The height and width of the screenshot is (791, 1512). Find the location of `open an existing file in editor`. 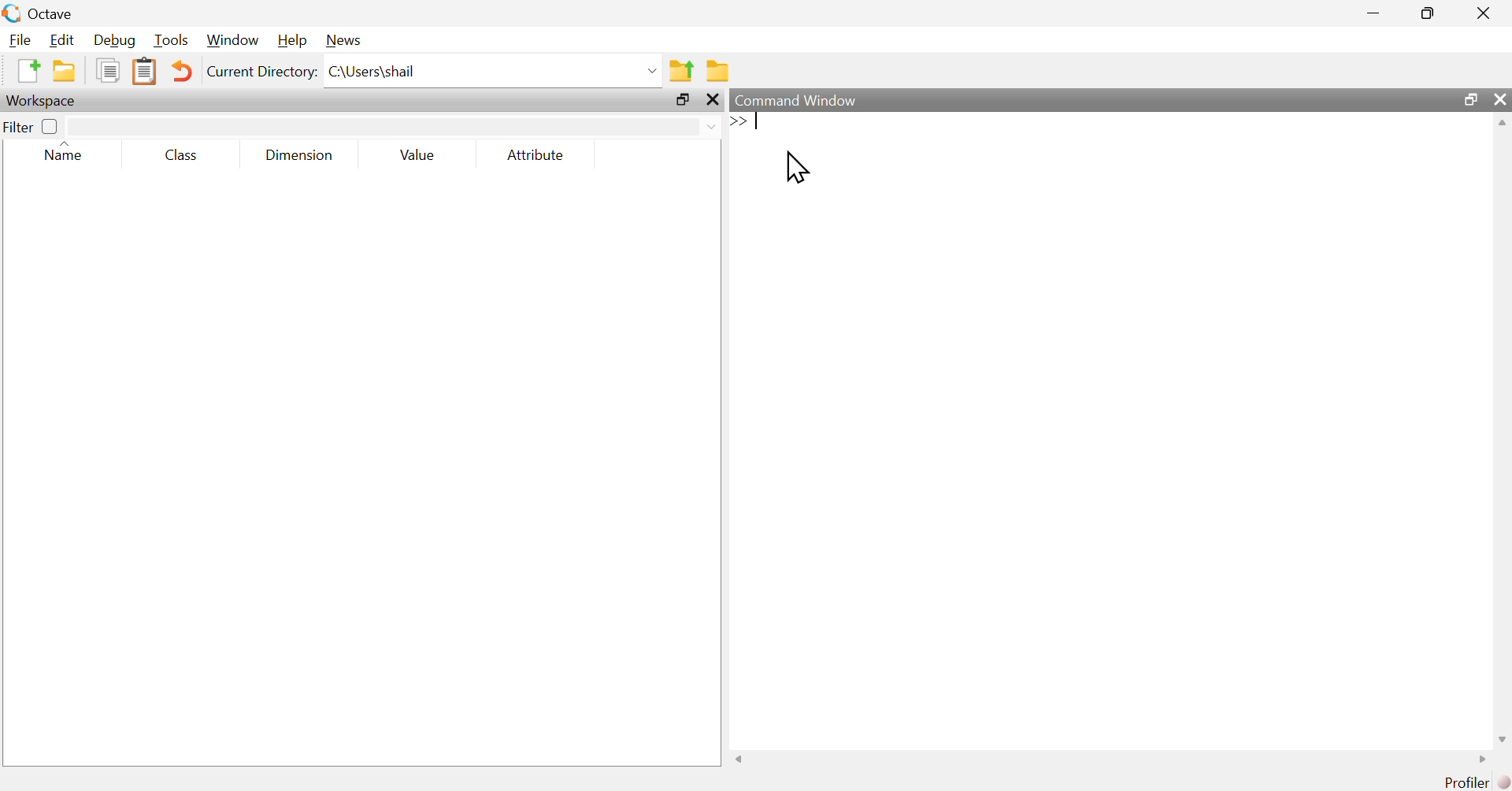

open an existing file in editor is located at coordinates (64, 72).